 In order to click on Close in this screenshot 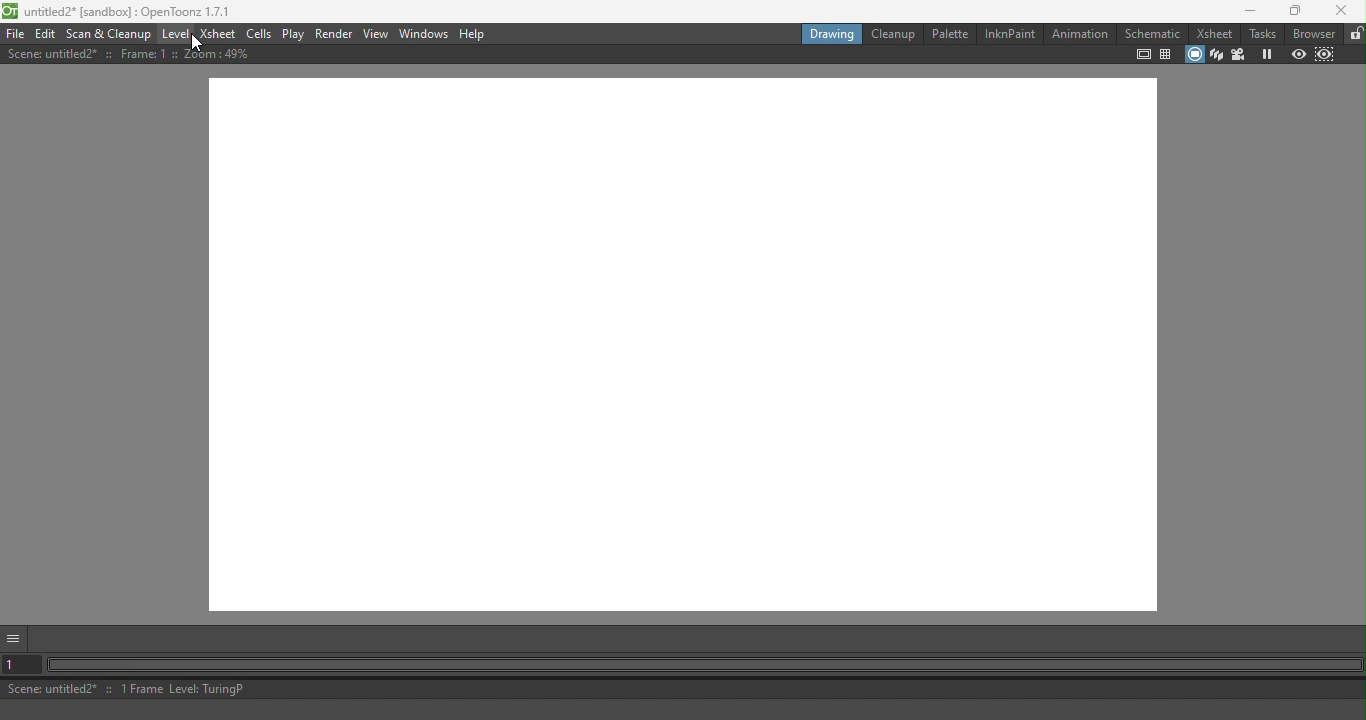, I will do `click(1340, 10)`.